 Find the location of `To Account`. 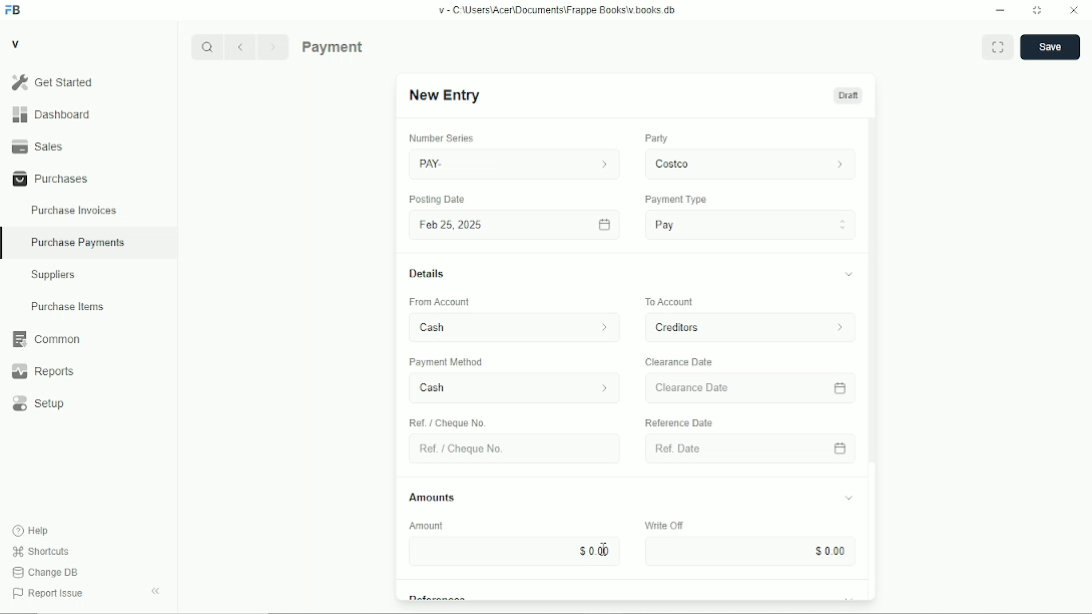

To Account is located at coordinates (667, 300).